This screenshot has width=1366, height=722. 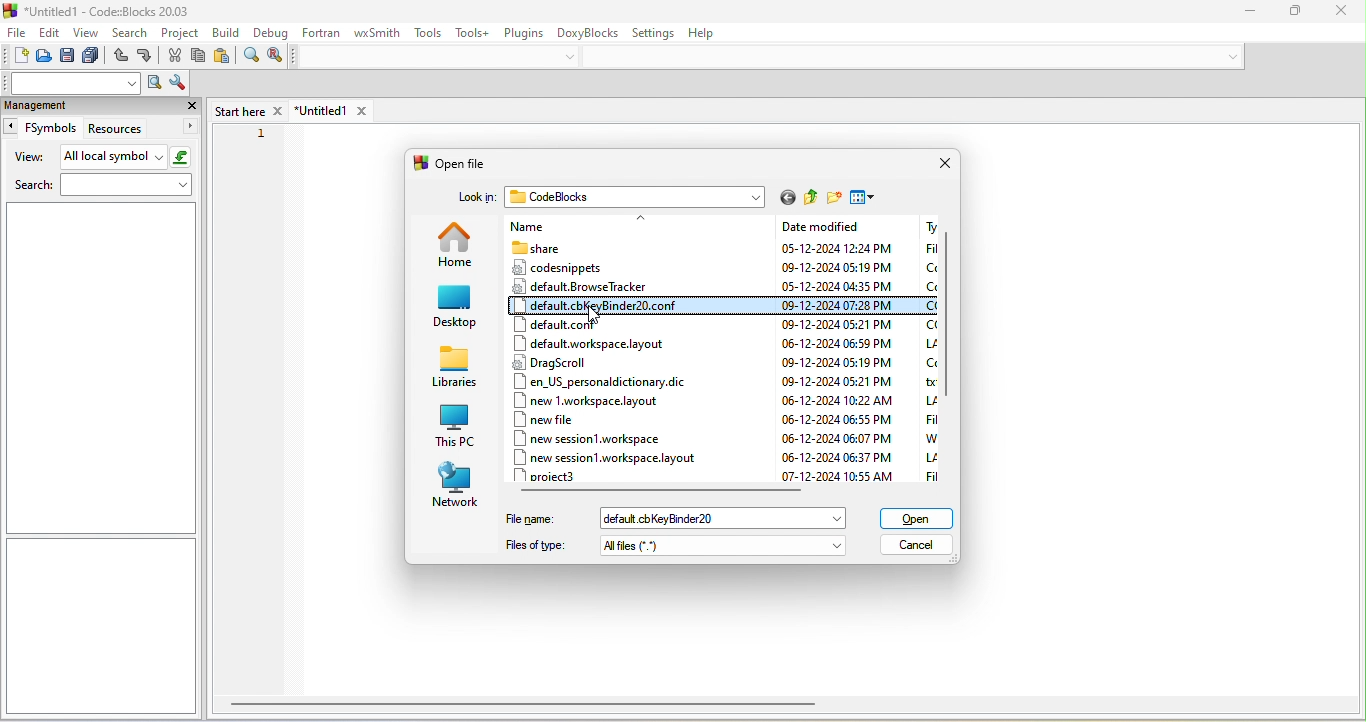 What do you see at coordinates (604, 343) in the screenshot?
I see `default workspace` at bounding box center [604, 343].